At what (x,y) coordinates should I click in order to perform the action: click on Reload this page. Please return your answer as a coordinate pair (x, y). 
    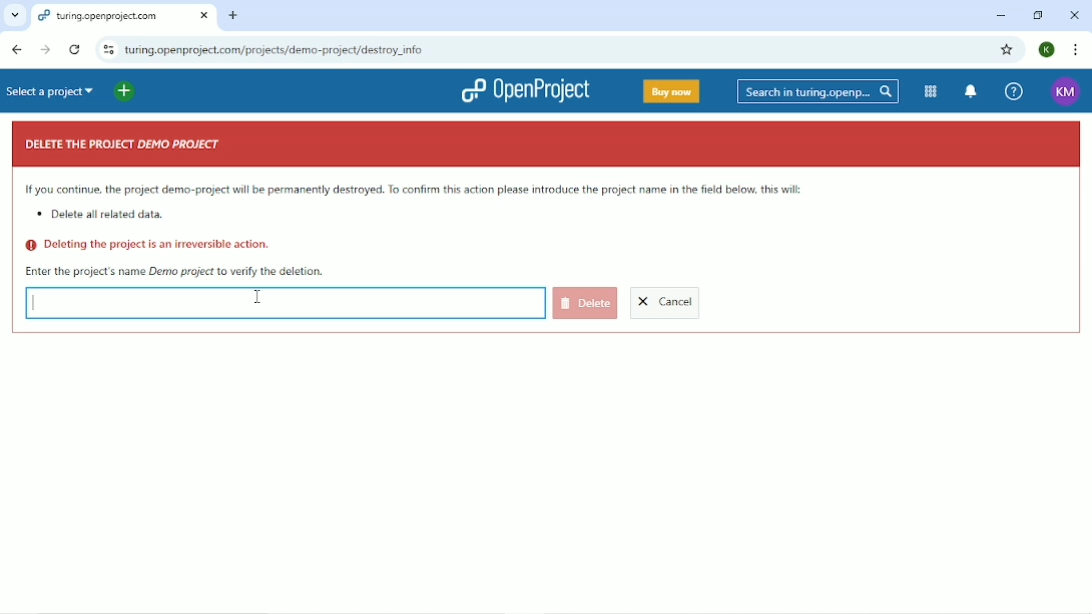
    Looking at the image, I should click on (74, 49).